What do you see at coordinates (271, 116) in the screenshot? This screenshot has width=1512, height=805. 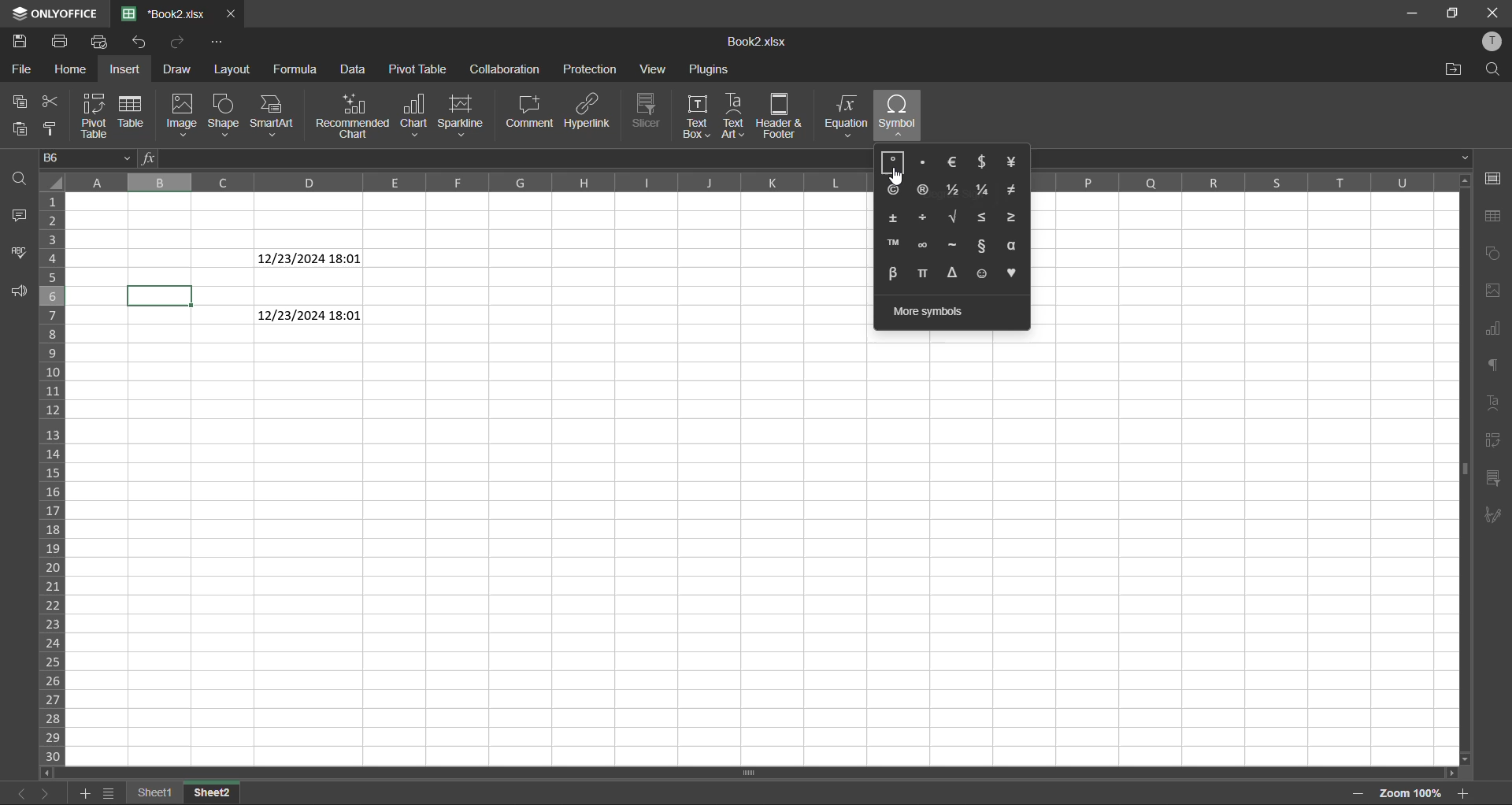 I see `smartart` at bounding box center [271, 116].